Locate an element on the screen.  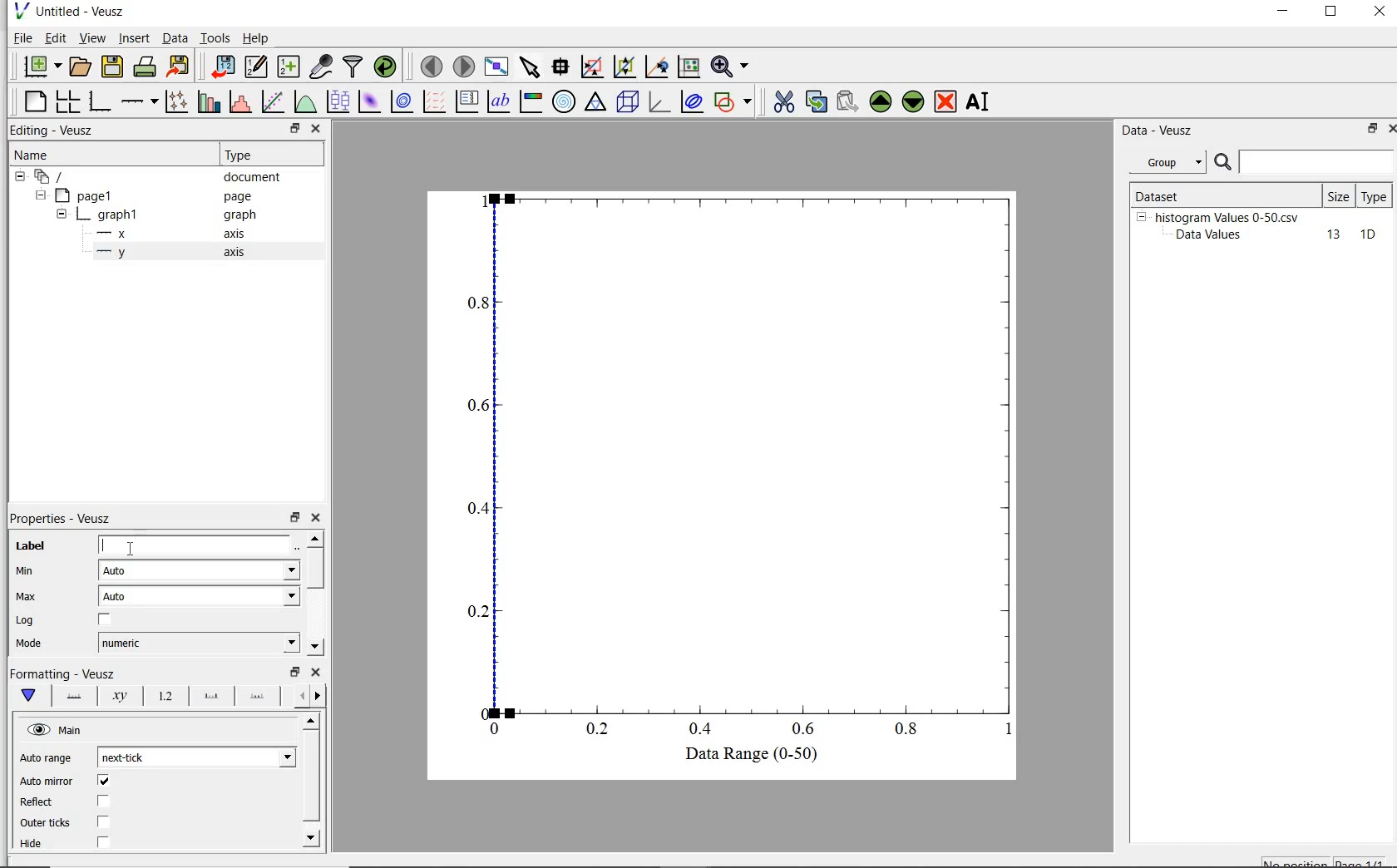
plot points with line and error bars is located at coordinates (177, 101).